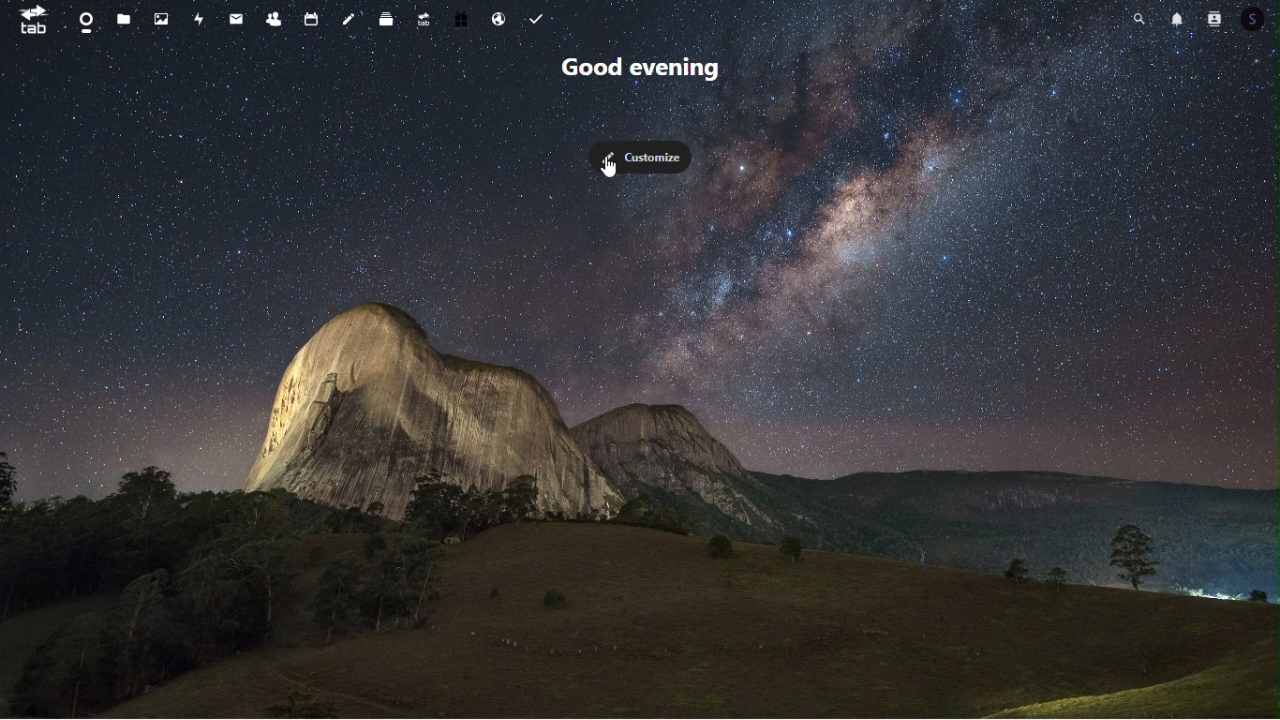  What do you see at coordinates (32, 20) in the screenshot?
I see `tab` at bounding box center [32, 20].